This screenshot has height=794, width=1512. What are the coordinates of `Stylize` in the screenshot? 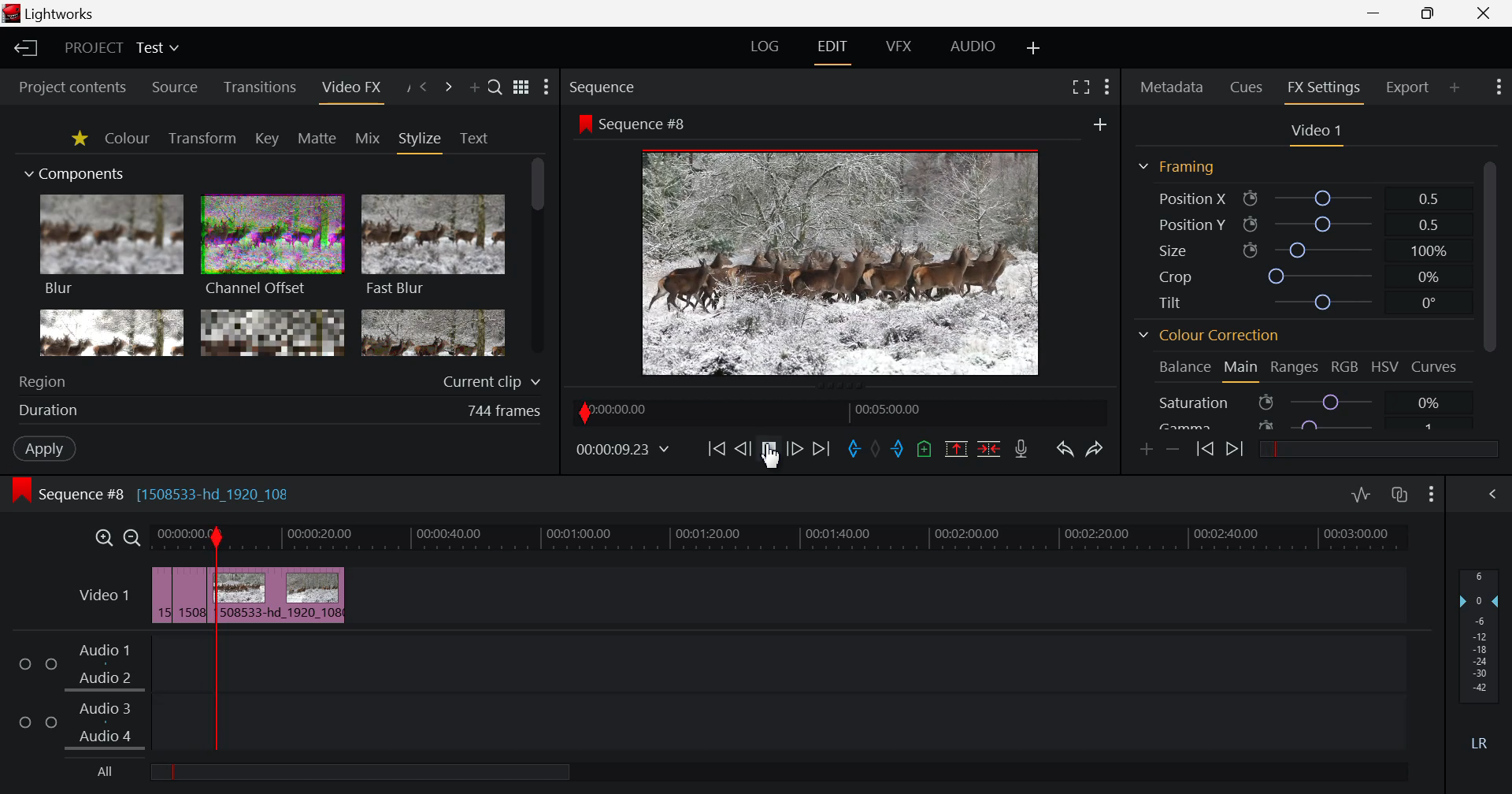 It's located at (421, 141).